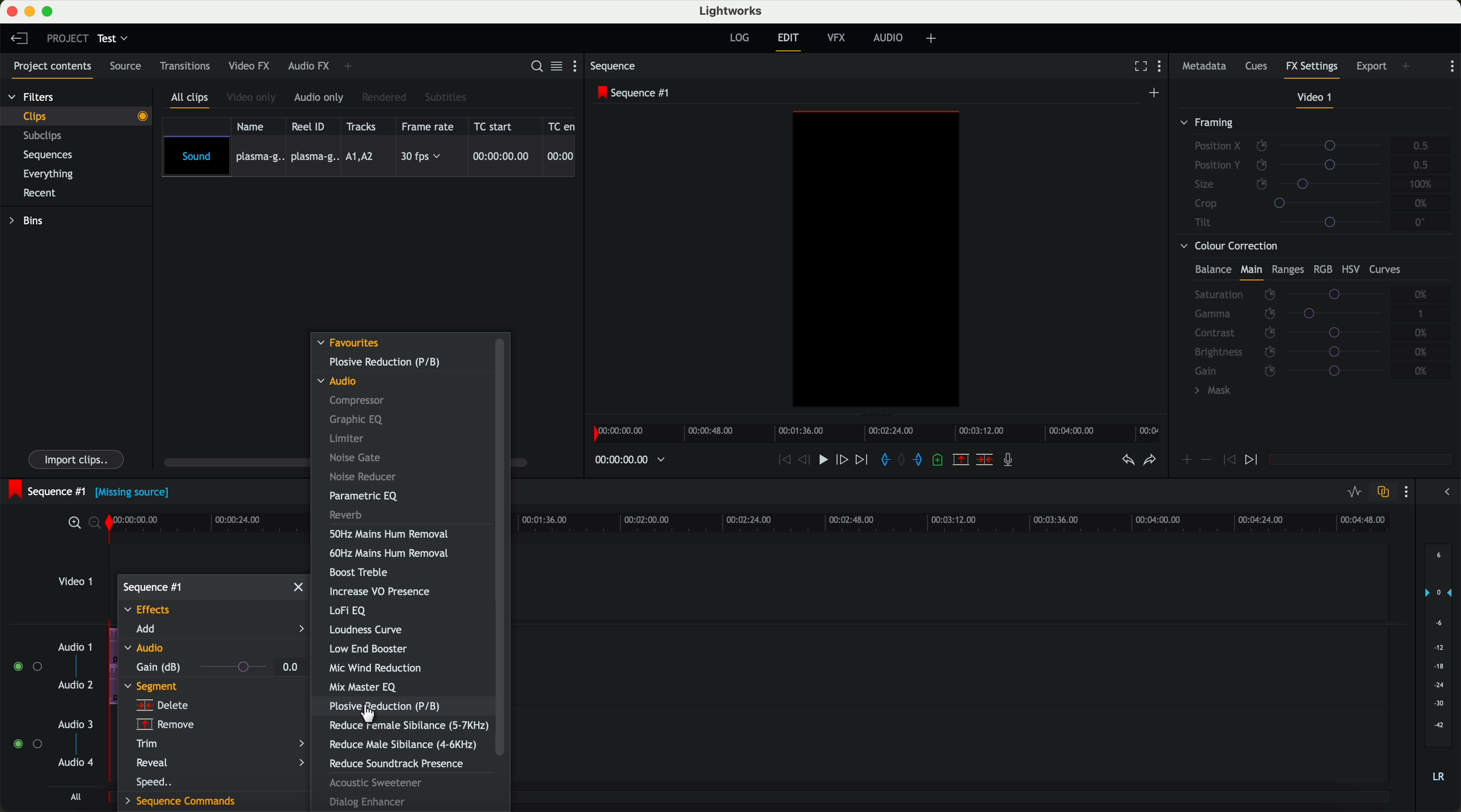 This screenshot has height=812, width=1461. What do you see at coordinates (1383, 492) in the screenshot?
I see `toggle auto track sync` at bounding box center [1383, 492].